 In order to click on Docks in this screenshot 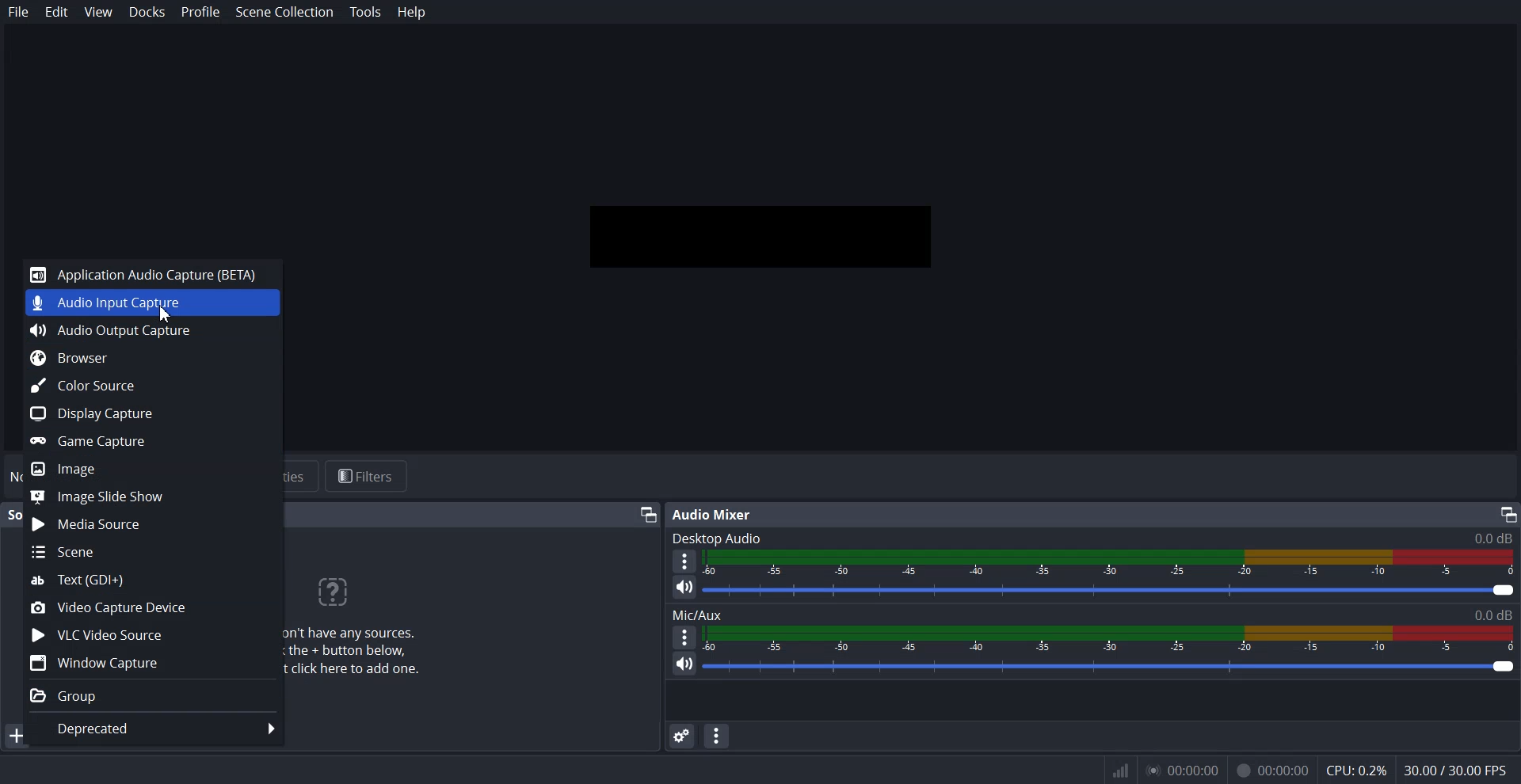, I will do `click(147, 13)`.